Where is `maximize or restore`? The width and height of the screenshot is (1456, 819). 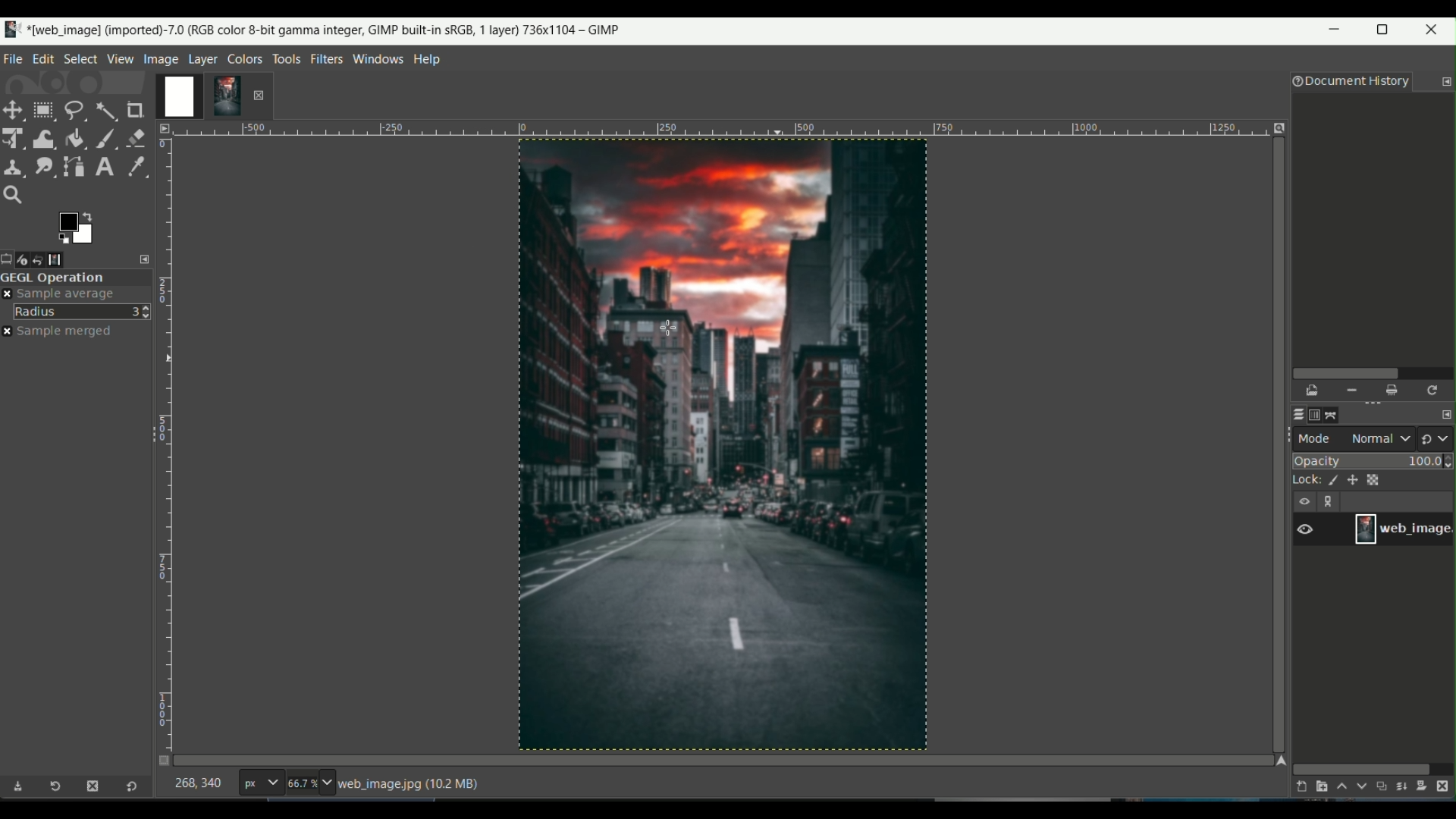 maximize or restore is located at coordinates (1387, 30).